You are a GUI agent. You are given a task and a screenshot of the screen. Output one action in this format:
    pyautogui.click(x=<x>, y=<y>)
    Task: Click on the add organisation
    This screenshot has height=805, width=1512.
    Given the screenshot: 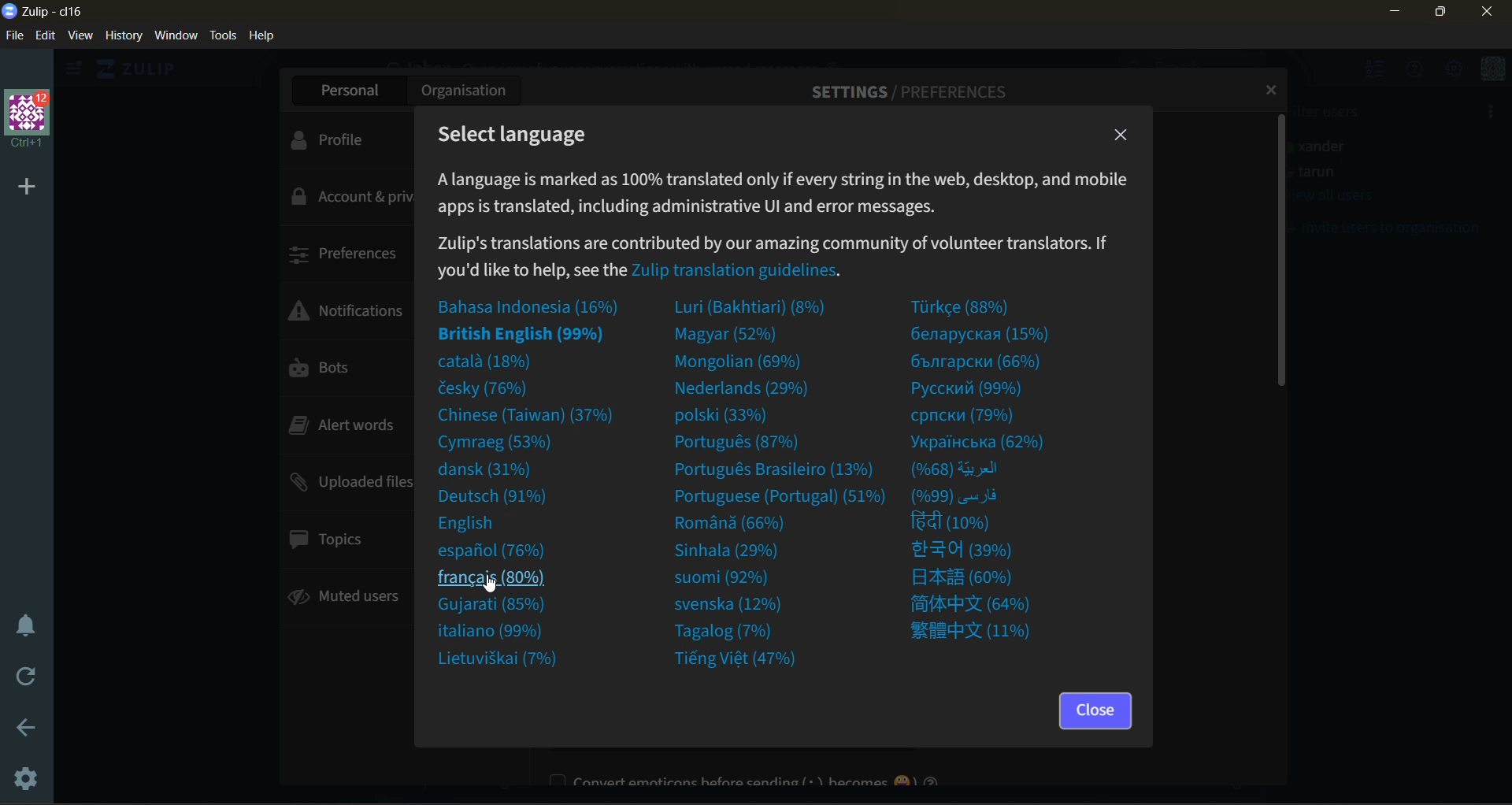 What is the action you would take?
    pyautogui.click(x=24, y=187)
    